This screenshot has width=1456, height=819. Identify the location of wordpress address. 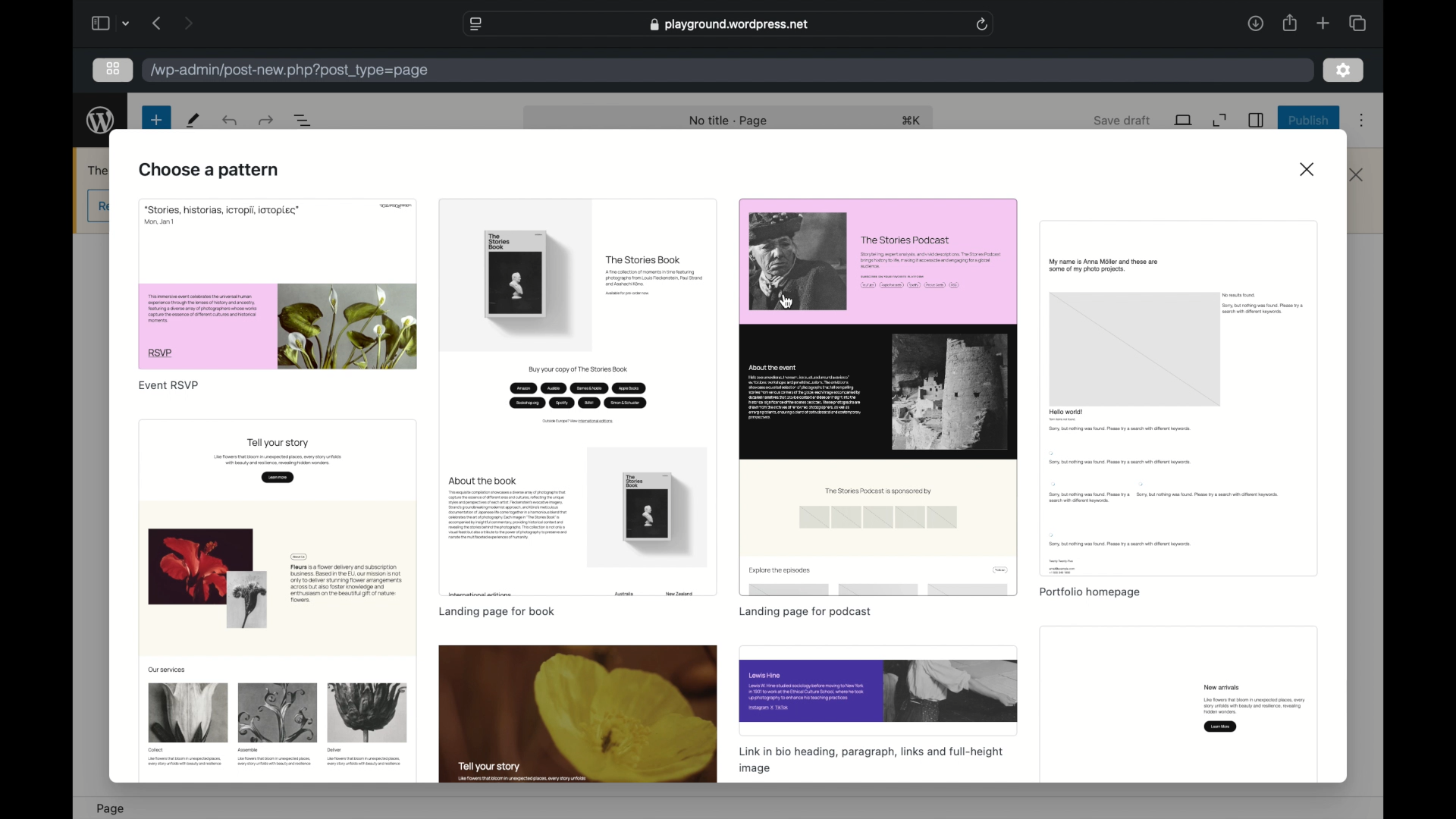
(290, 71).